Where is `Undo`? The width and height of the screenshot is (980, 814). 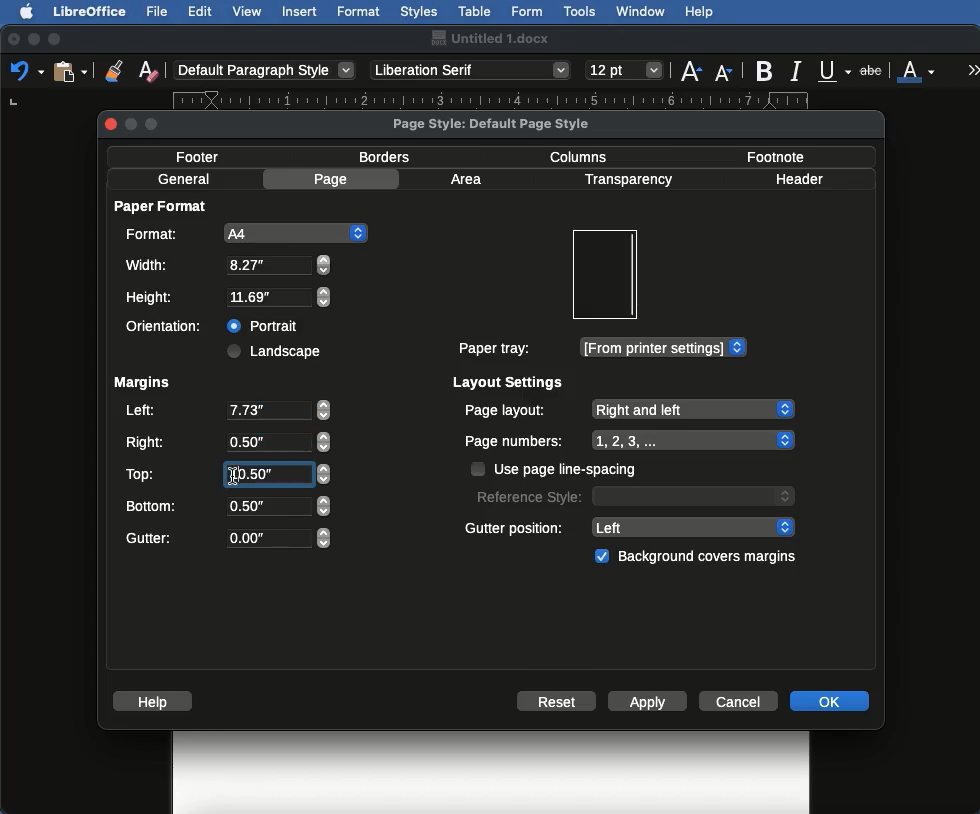 Undo is located at coordinates (26, 70).